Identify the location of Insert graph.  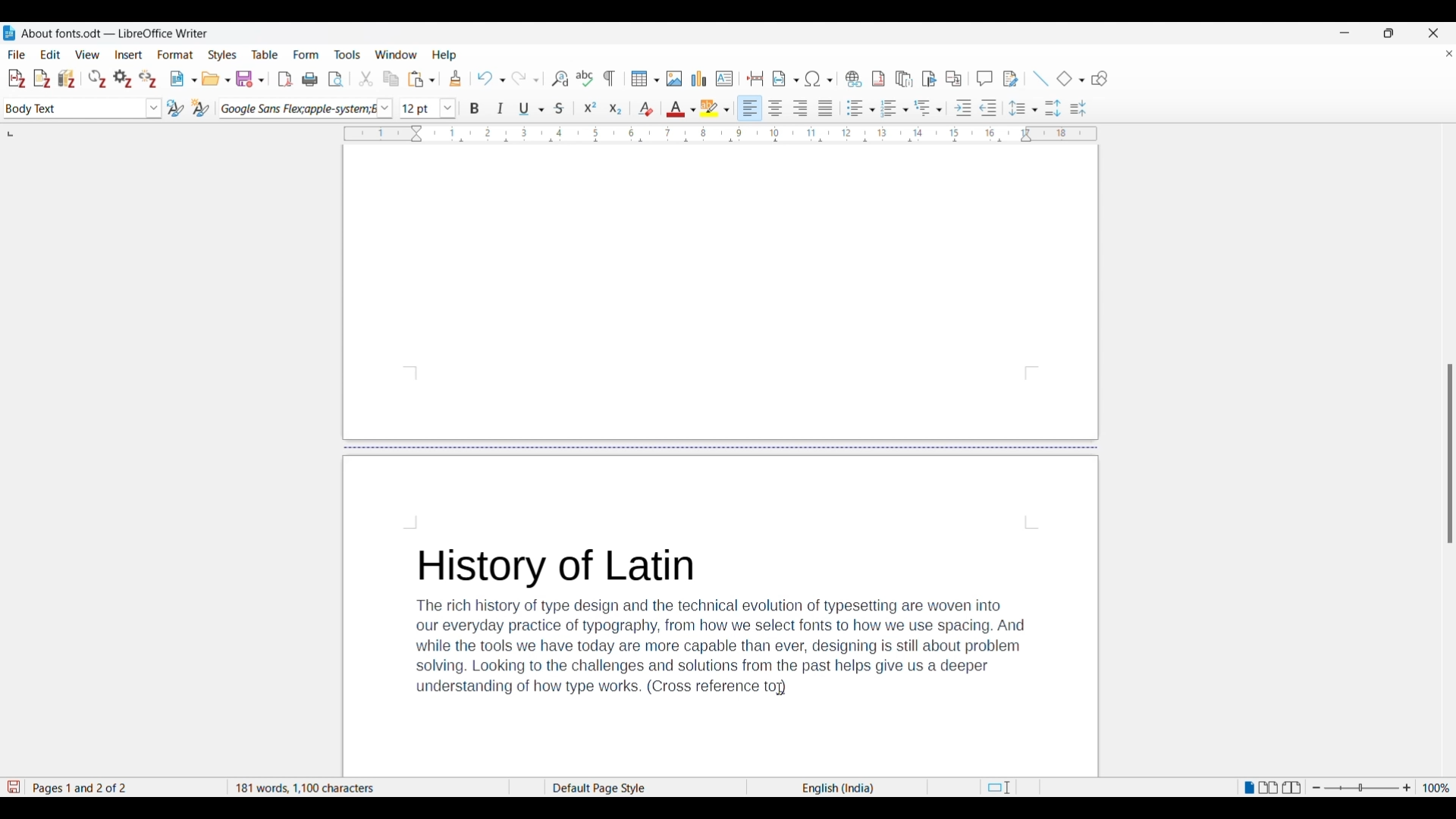
(700, 78).